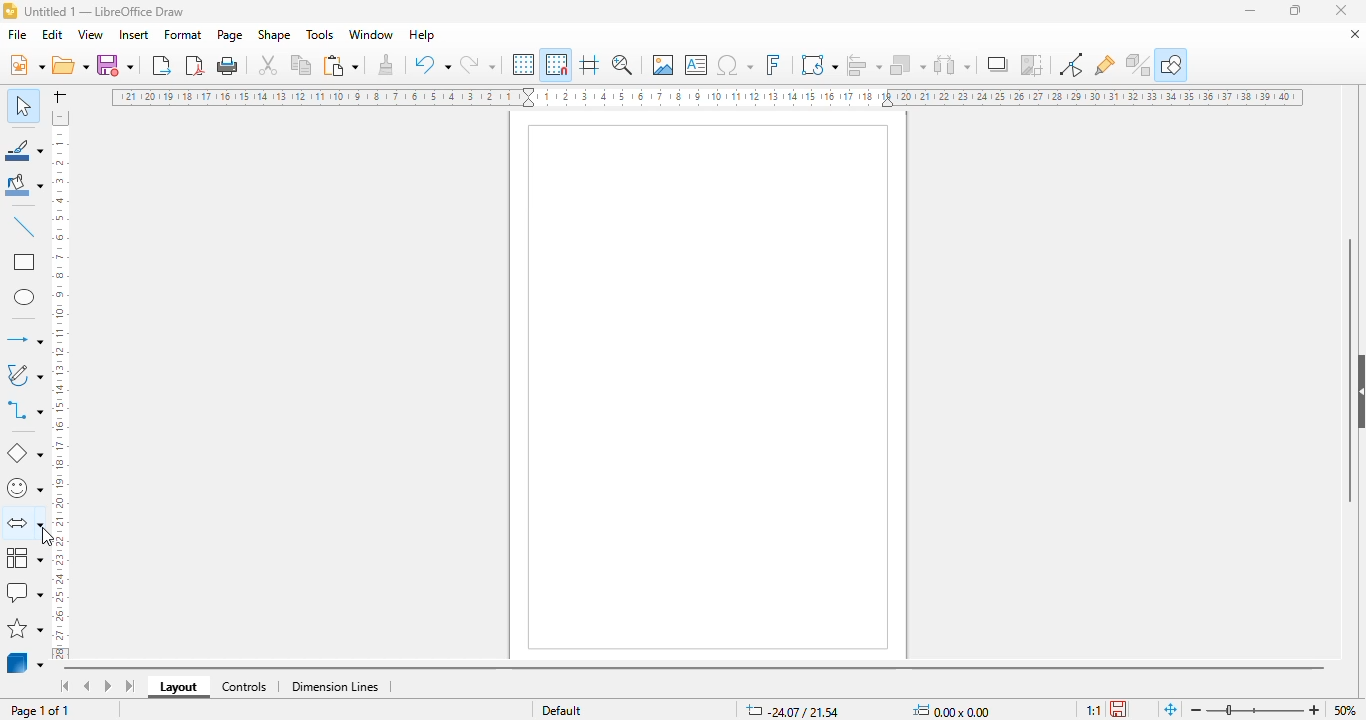 This screenshot has width=1366, height=720. Describe the element at coordinates (1295, 10) in the screenshot. I see `maximize` at that location.